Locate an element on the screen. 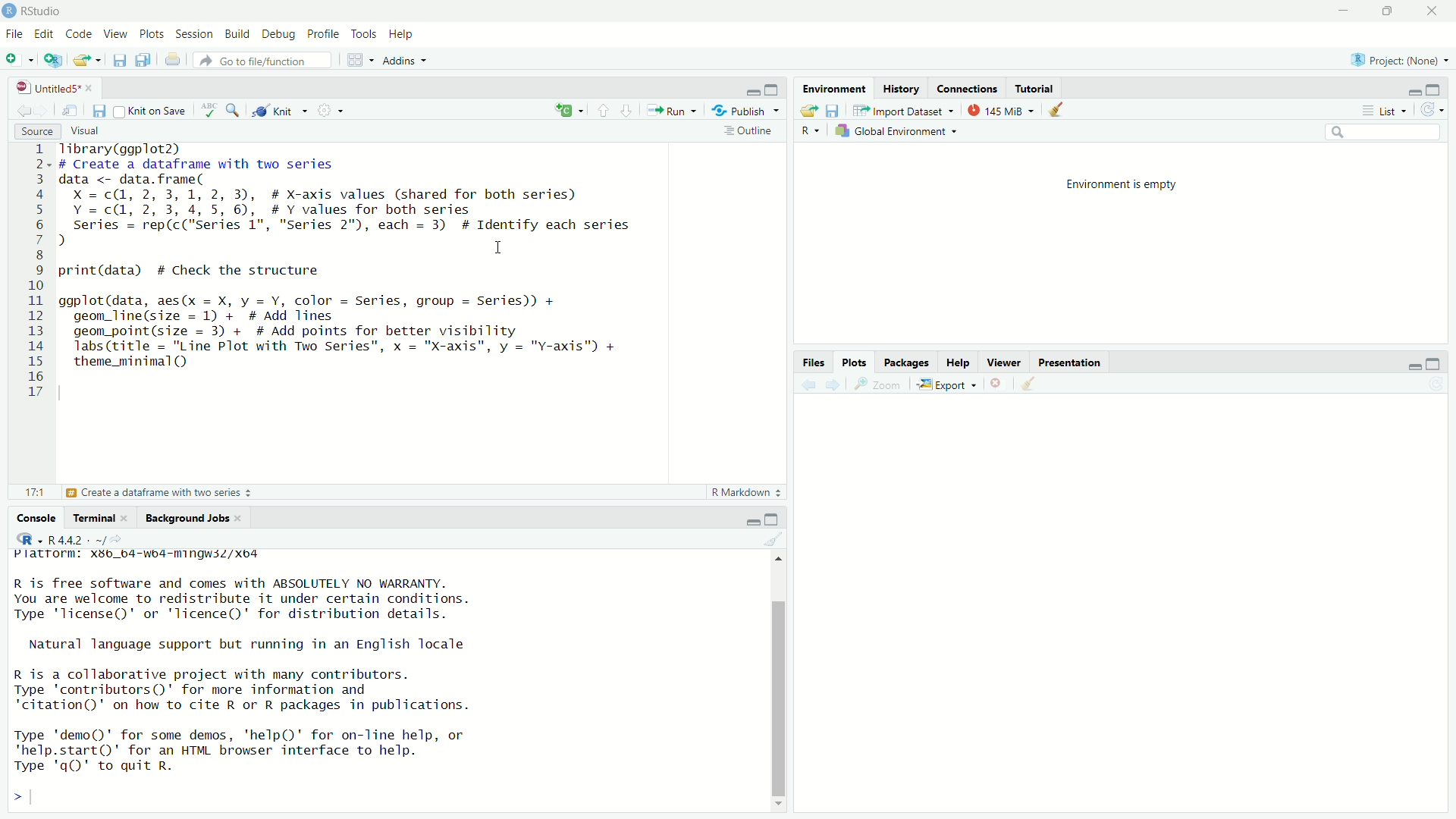 This screenshot has height=819, width=1456. Knit is located at coordinates (281, 111).